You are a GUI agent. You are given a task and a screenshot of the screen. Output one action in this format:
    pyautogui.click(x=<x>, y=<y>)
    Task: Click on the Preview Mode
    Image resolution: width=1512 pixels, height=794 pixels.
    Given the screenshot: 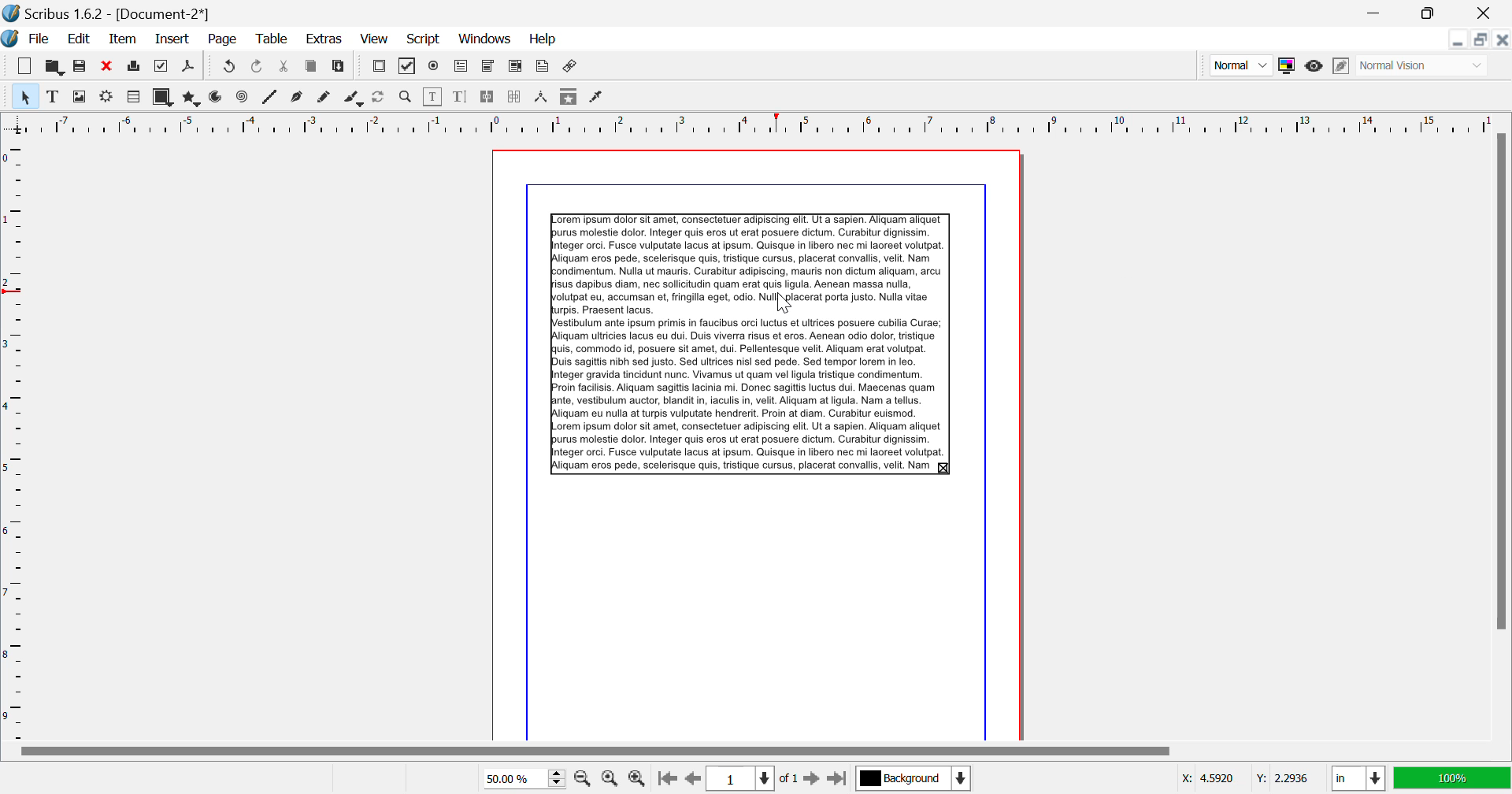 What is the action you would take?
    pyautogui.click(x=1314, y=68)
    